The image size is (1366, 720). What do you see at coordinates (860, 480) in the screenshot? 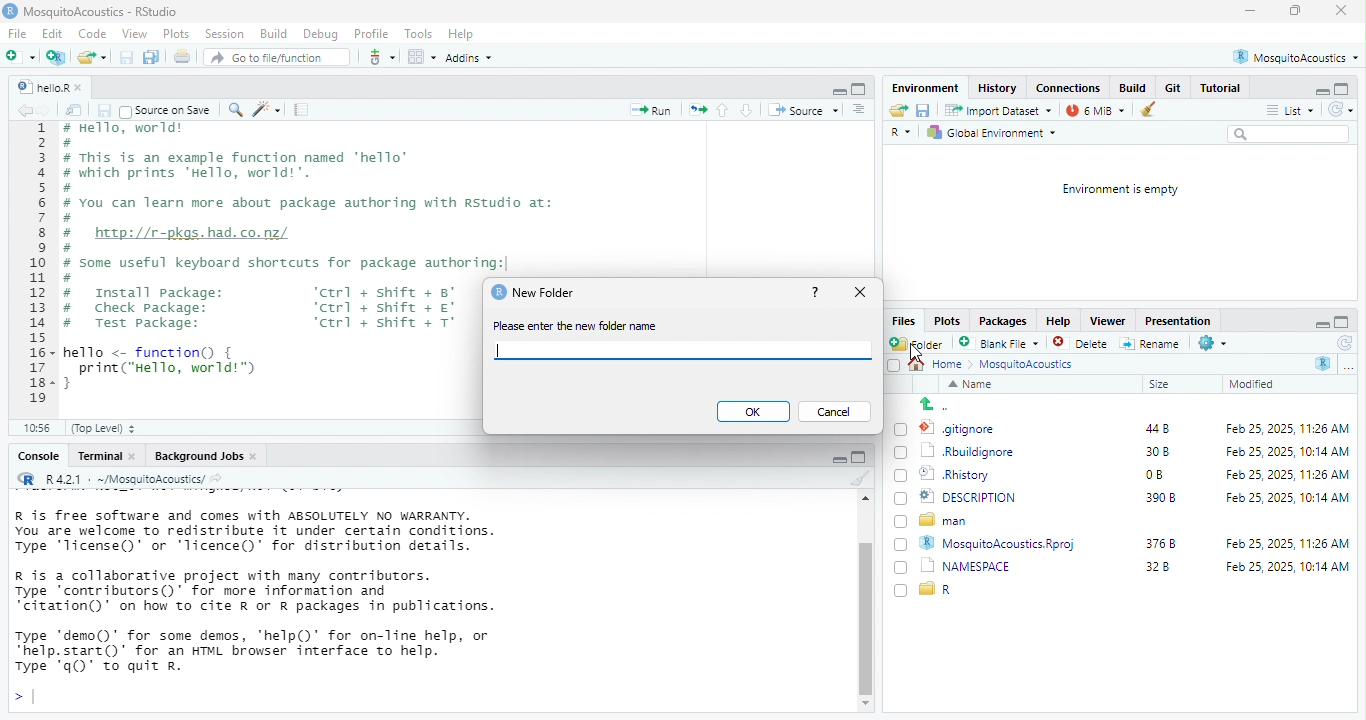
I see `clear console` at bounding box center [860, 480].